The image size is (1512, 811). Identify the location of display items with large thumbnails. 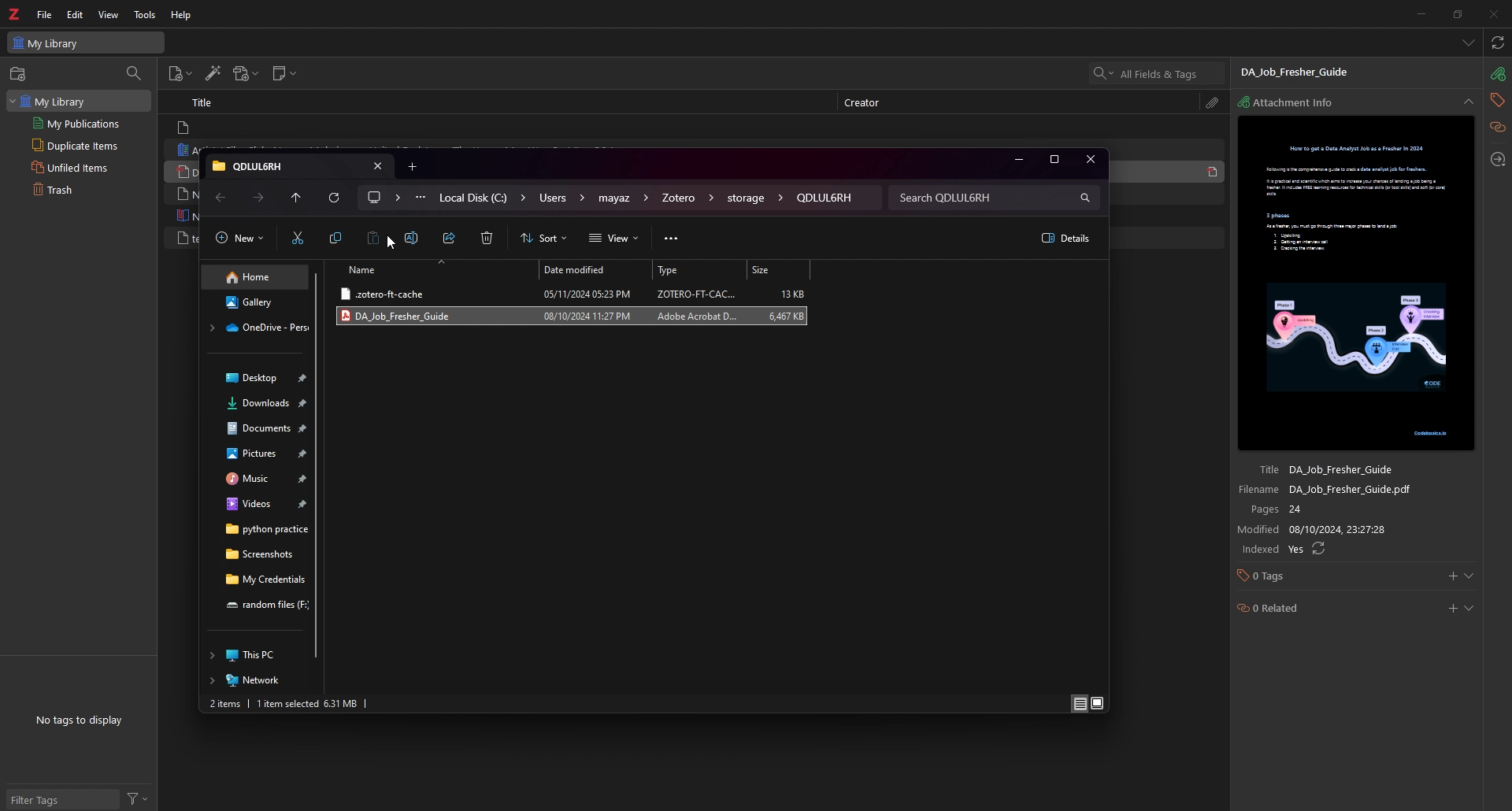
(1097, 703).